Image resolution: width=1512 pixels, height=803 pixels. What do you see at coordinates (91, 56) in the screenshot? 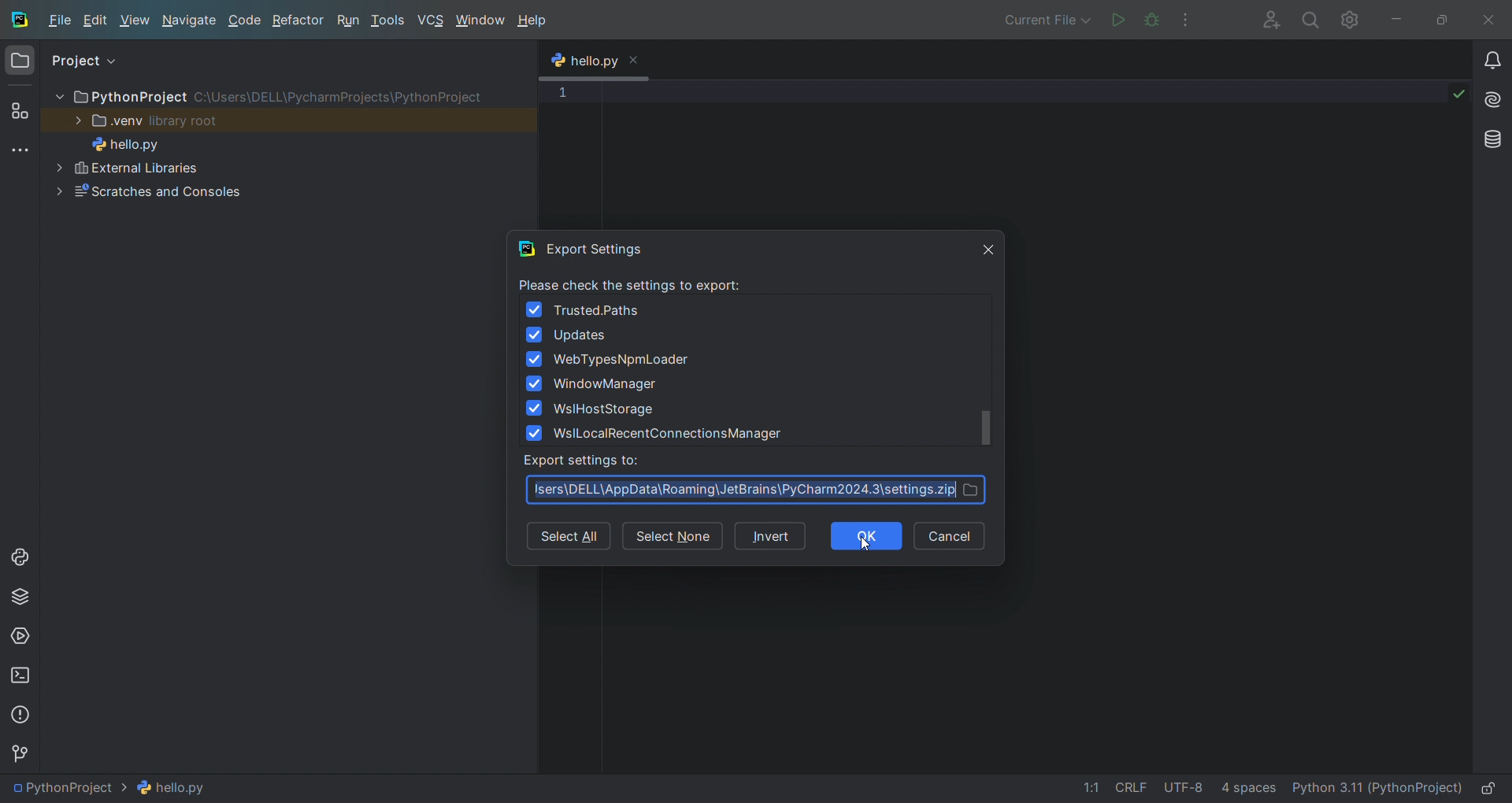
I see `project view` at bounding box center [91, 56].